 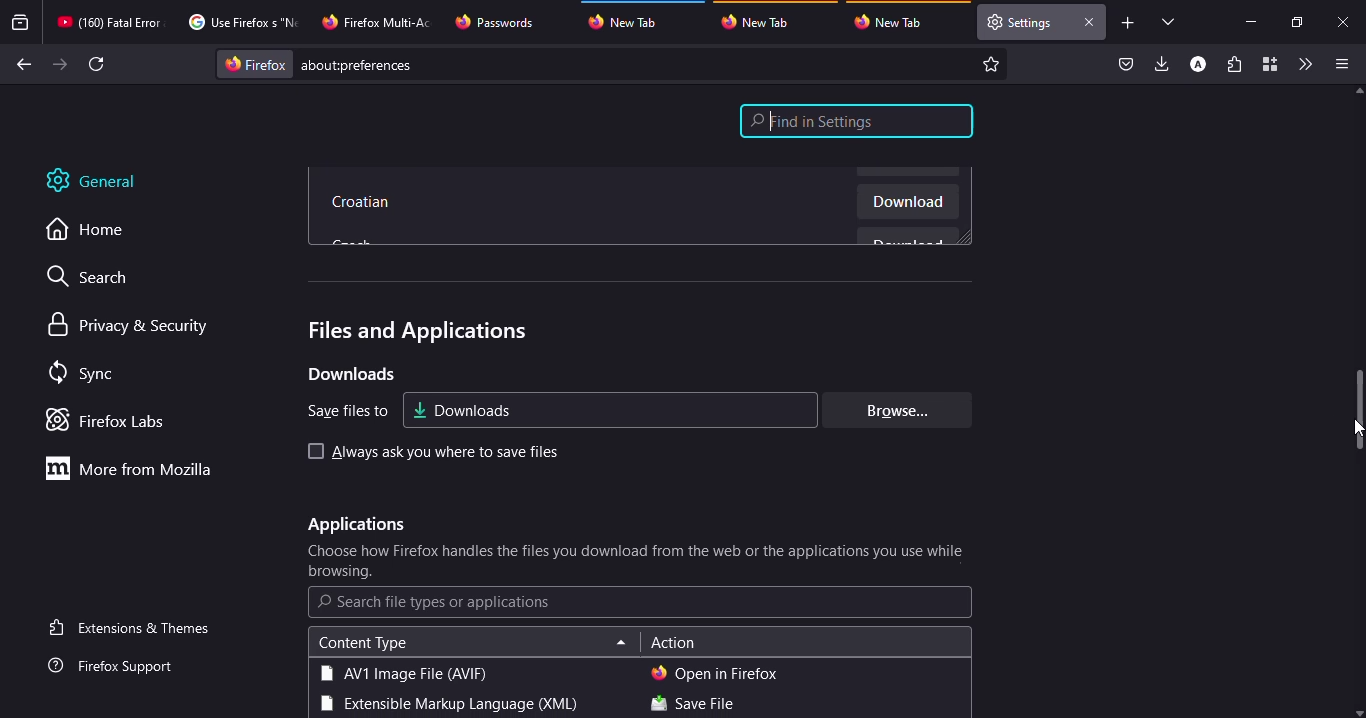 I want to click on container, so click(x=1268, y=65).